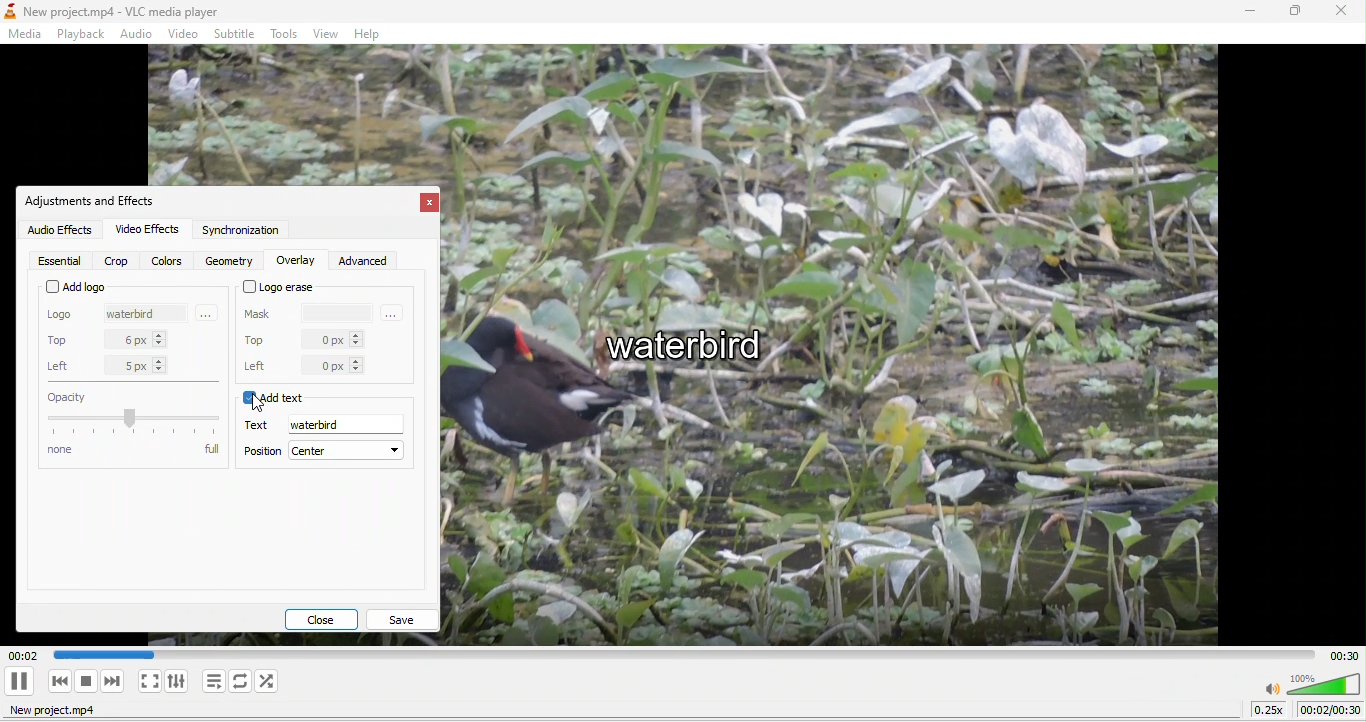  I want to click on toggle playlist, so click(212, 682).